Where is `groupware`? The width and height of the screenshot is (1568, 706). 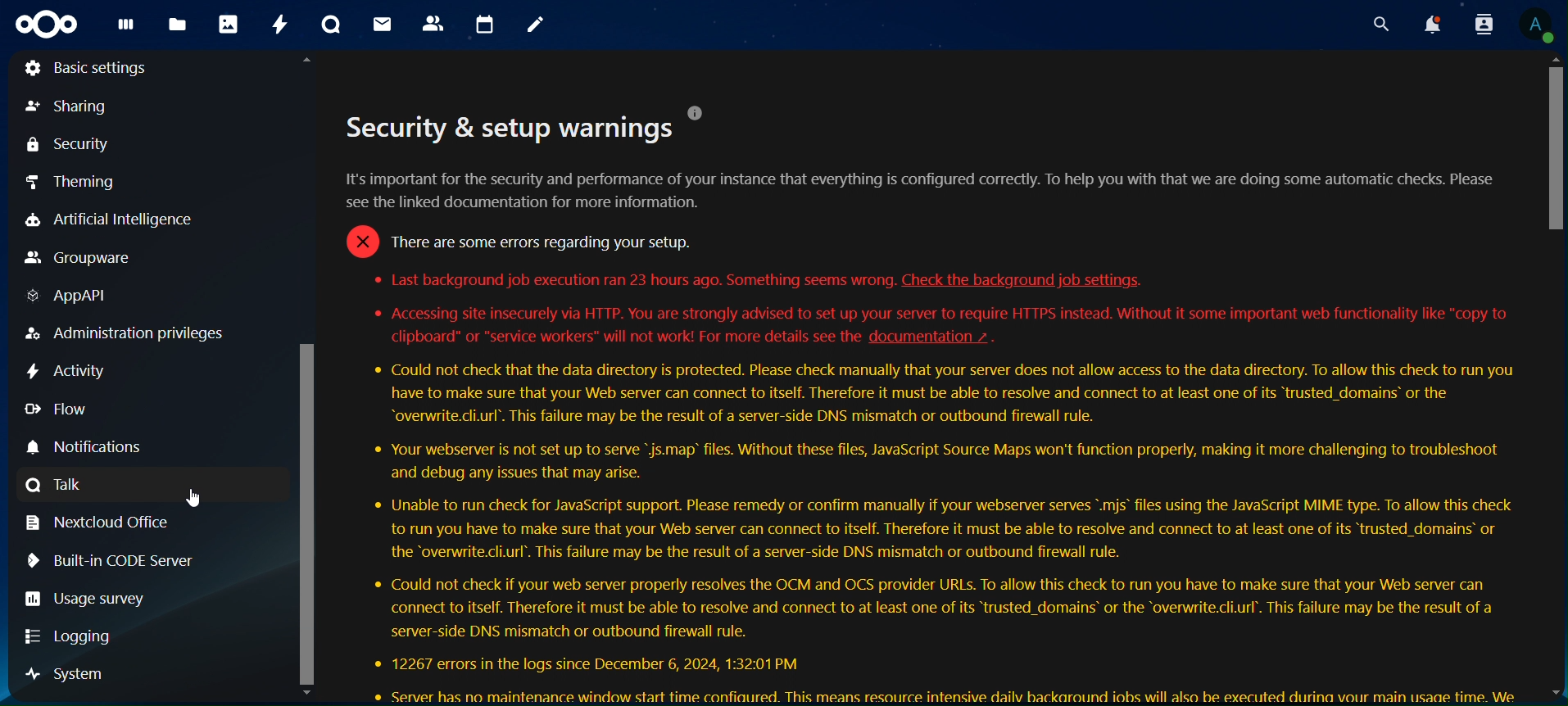 groupware is located at coordinates (79, 257).